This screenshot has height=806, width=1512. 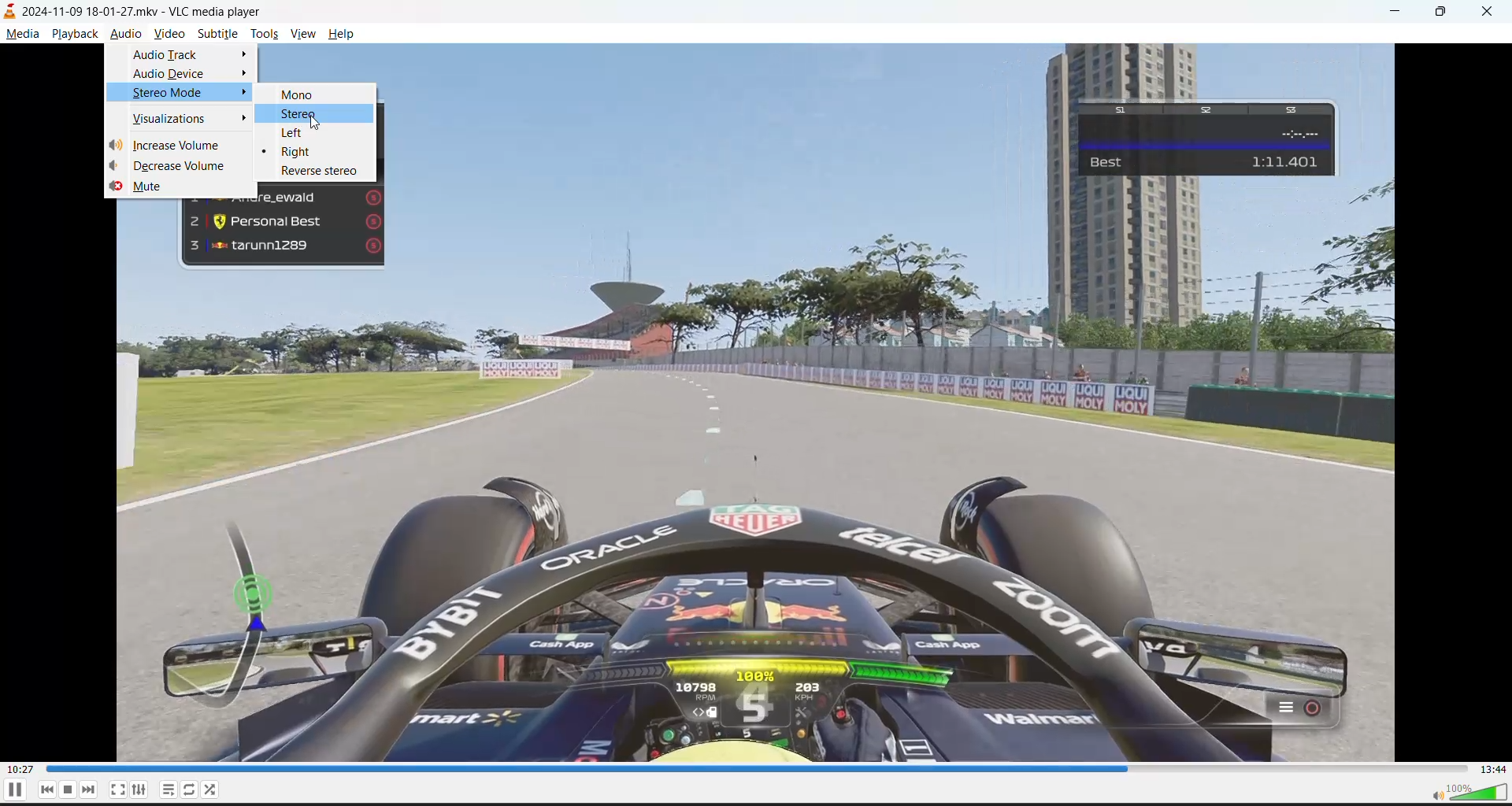 What do you see at coordinates (1492, 769) in the screenshot?
I see `13:44` at bounding box center [1492, 769].